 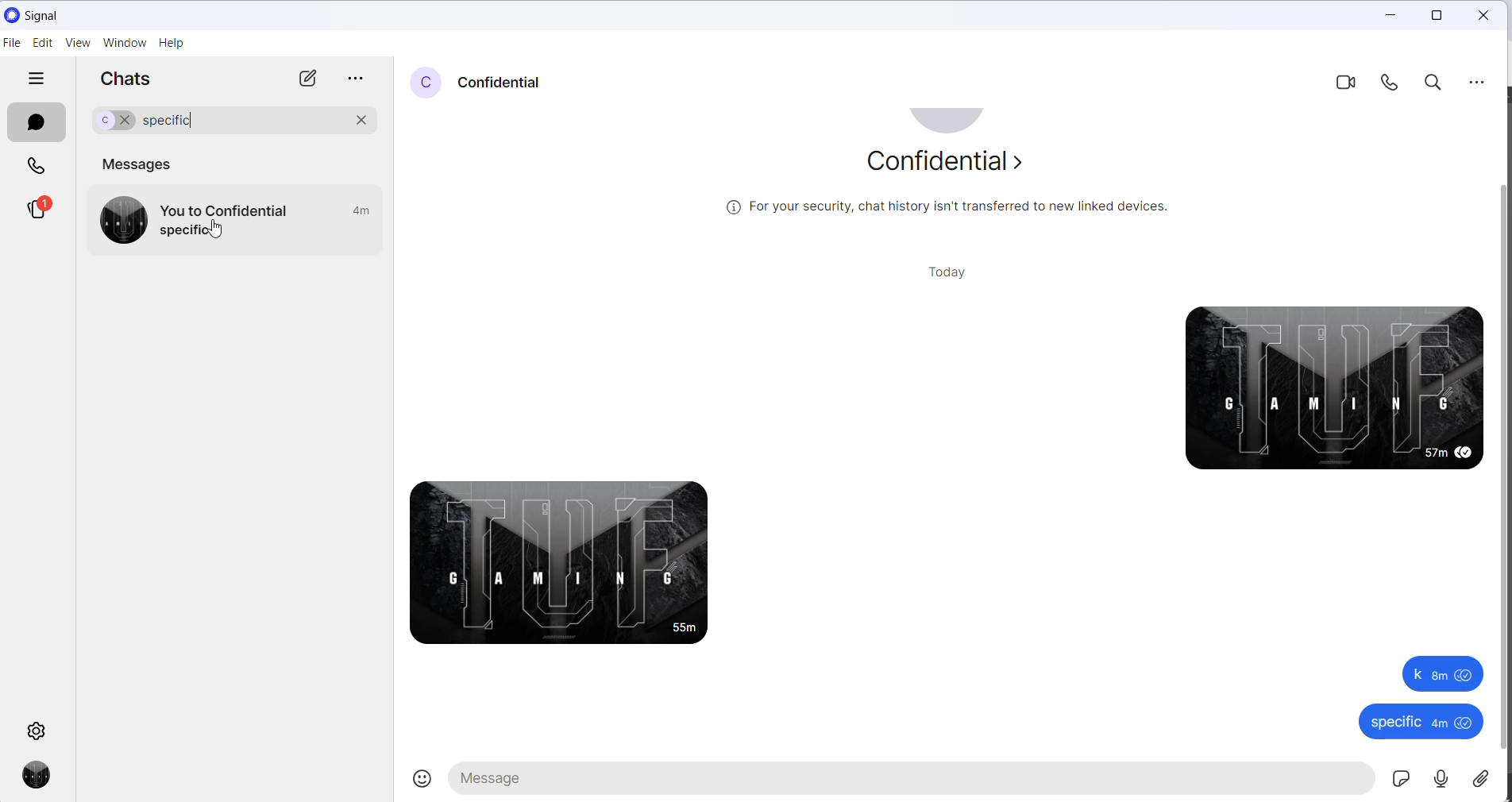 I want to click on specific, so click(x=1411, y=720).